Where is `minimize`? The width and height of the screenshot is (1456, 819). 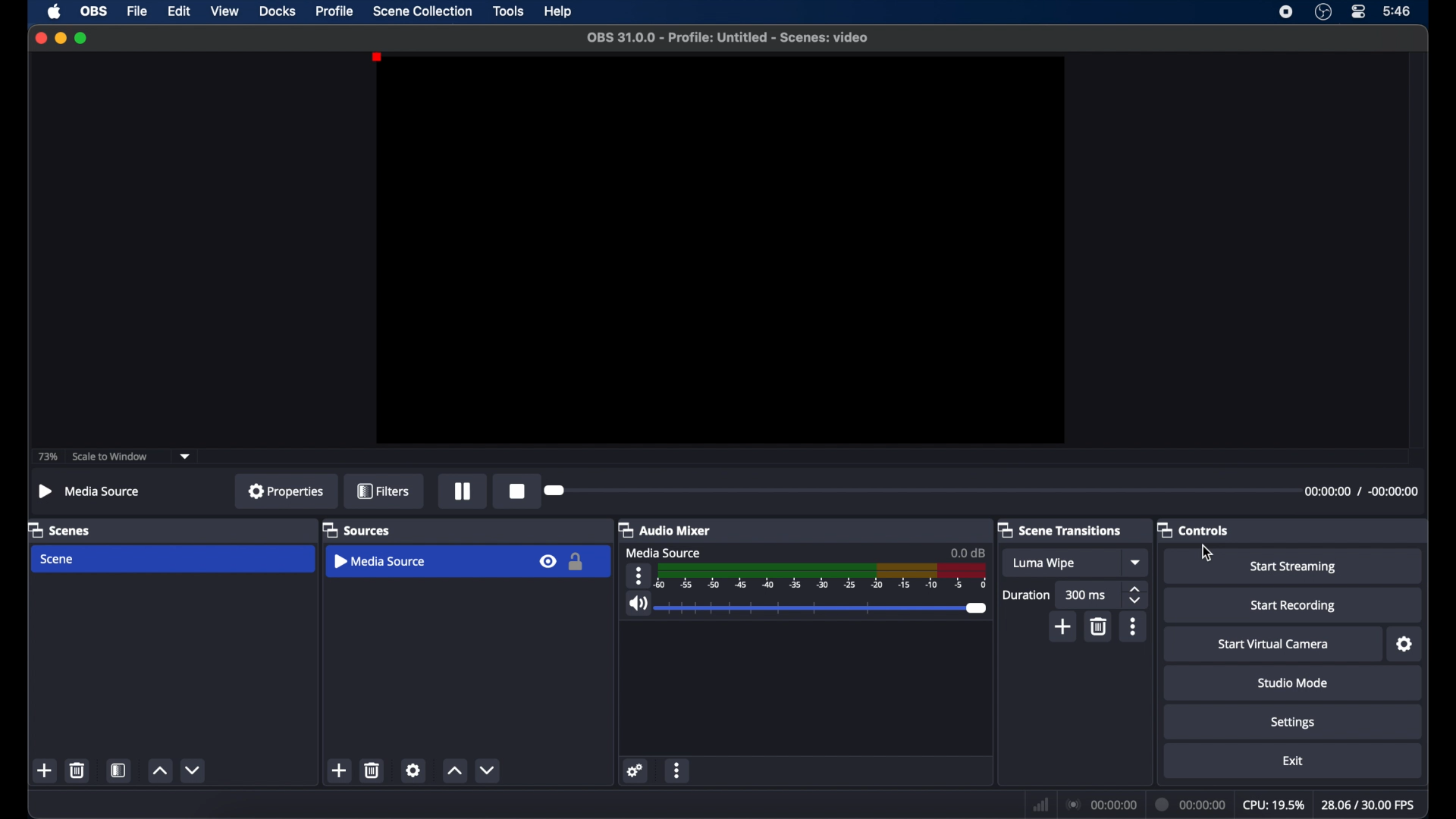 minimize is located at coordinates (60, 37).